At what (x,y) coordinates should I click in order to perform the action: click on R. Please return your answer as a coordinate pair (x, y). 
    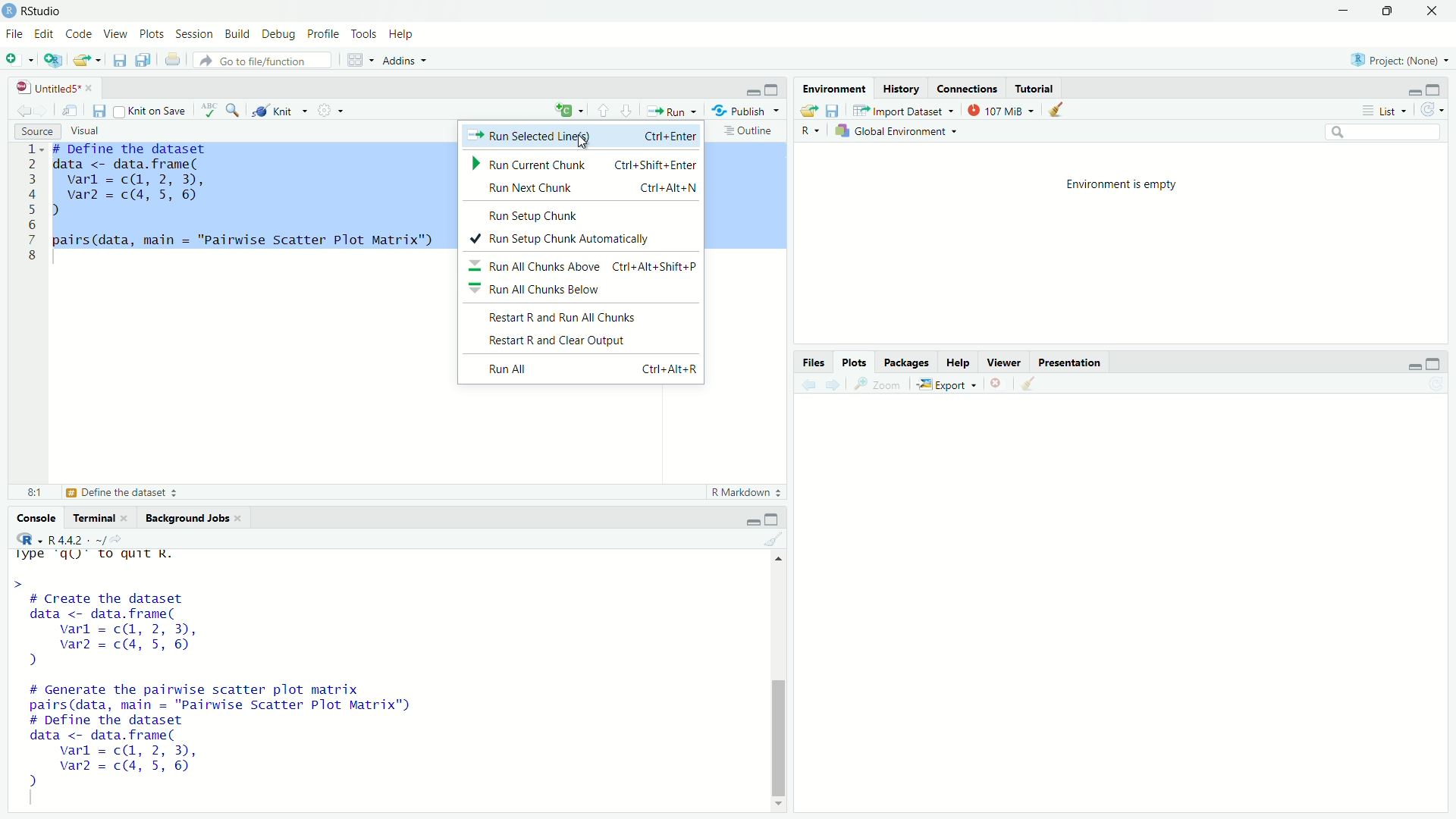
    Looking at the image, I should click on (26, 538).